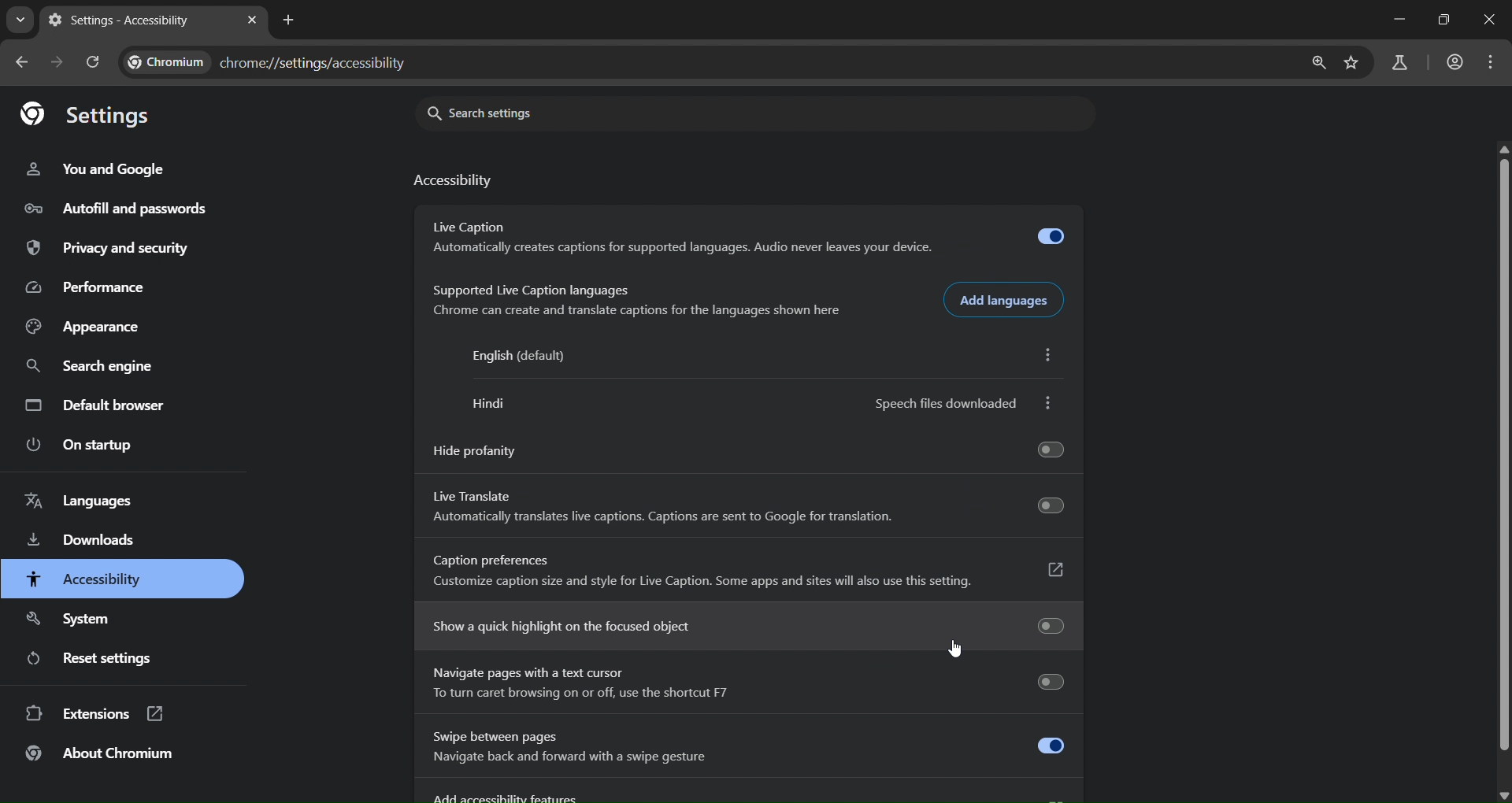 The height and width of the screenshot is (803, 1512). Describe the element at coordinates (1487, 21) in the screenshot. I see `close` at that location.